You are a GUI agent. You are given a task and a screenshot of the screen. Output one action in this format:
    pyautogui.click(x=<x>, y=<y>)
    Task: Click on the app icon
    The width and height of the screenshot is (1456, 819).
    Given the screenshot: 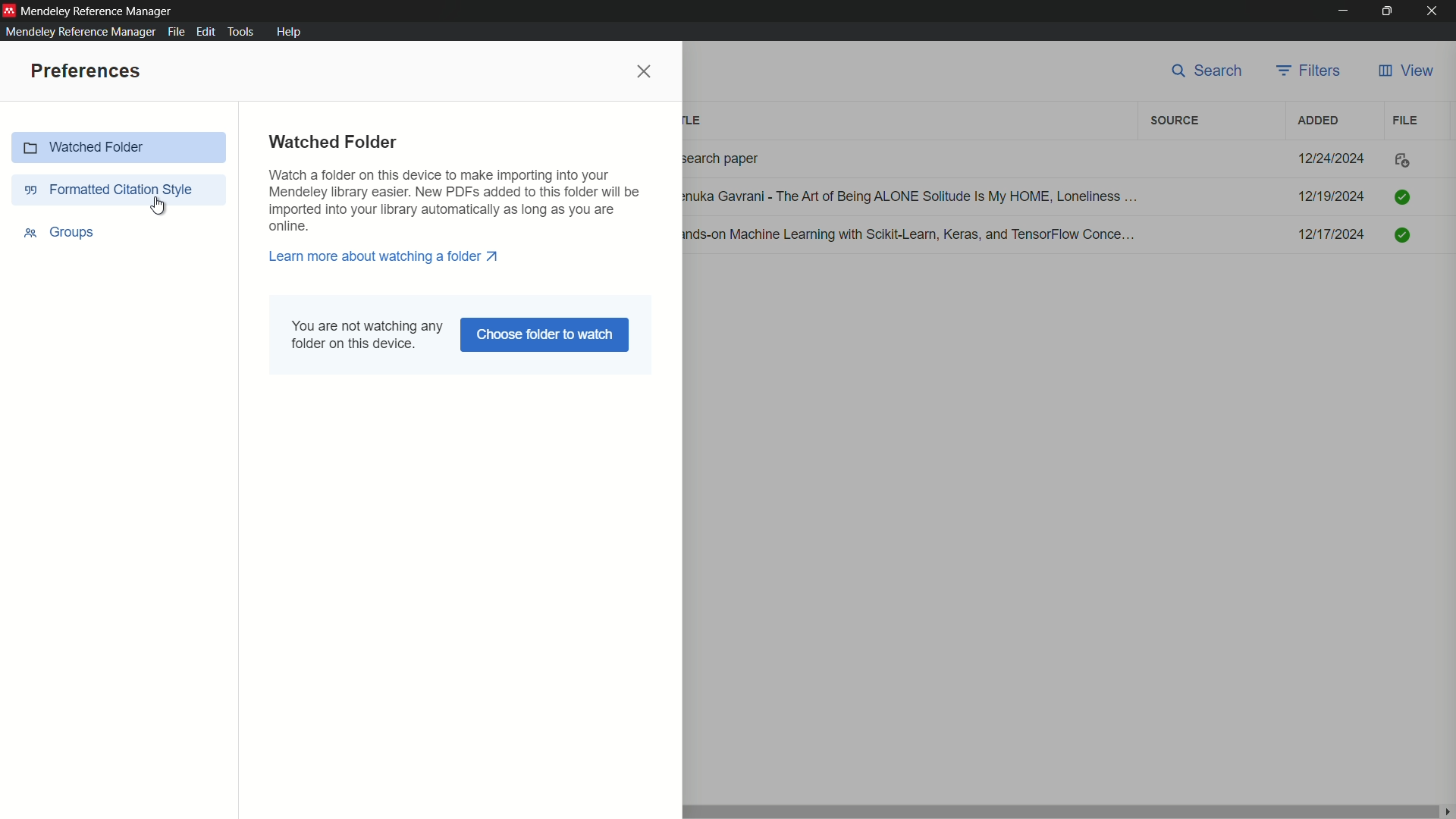 What is the action you would take?
    pyautogui.click(x=9, y=9)
    